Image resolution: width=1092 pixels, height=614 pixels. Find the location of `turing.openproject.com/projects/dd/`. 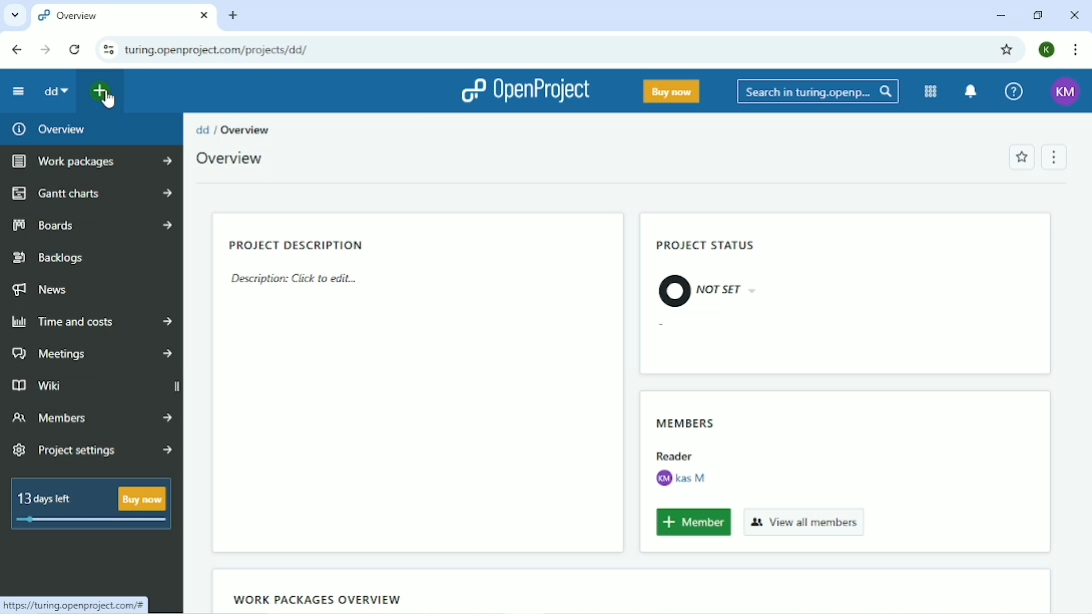

turing.openproject.com/projects/dd/ is located at coordinates (227, 49).